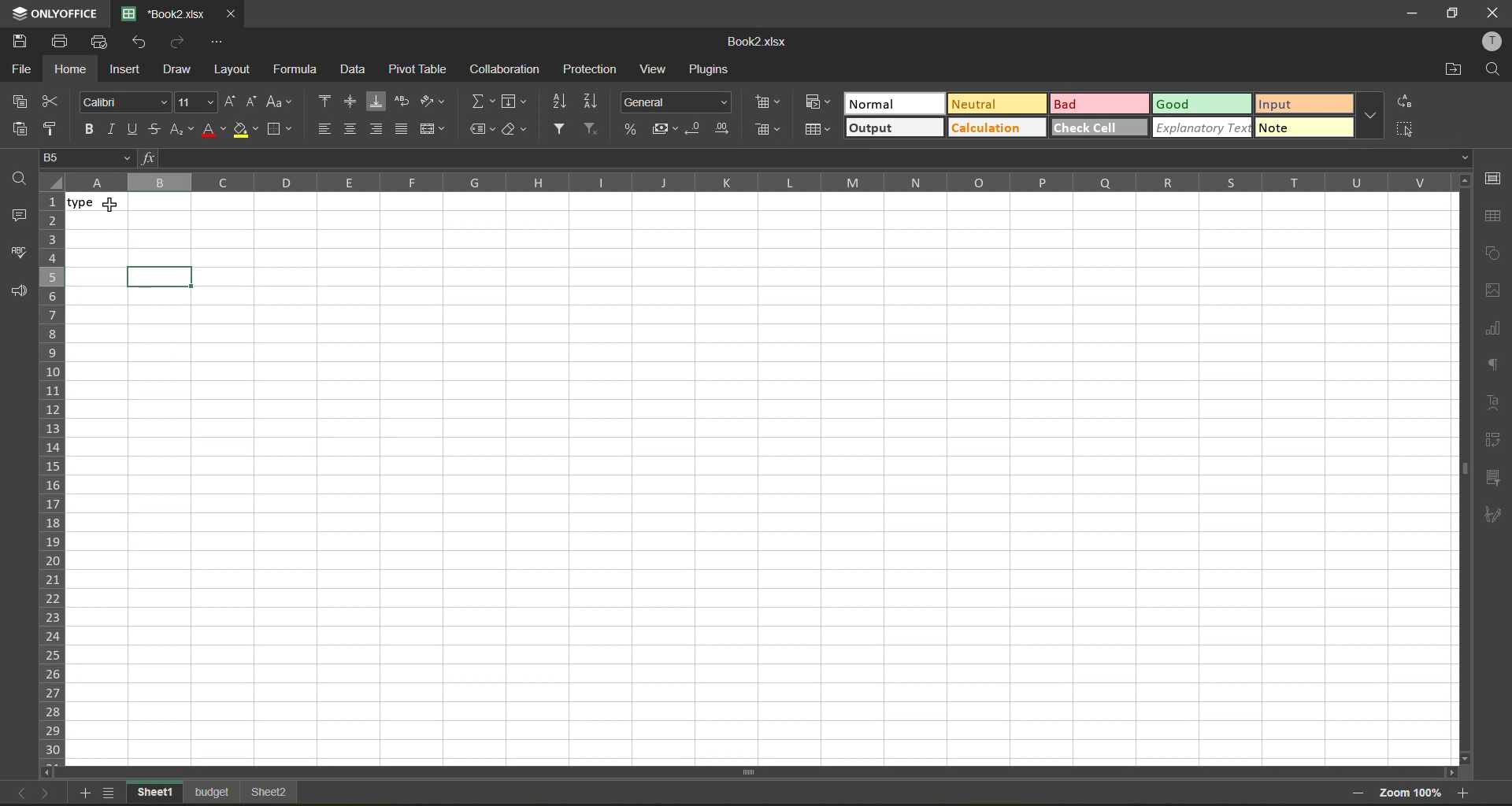 This screenshot has height=806, width=1512. I want to click on clear, so click(513, 131).